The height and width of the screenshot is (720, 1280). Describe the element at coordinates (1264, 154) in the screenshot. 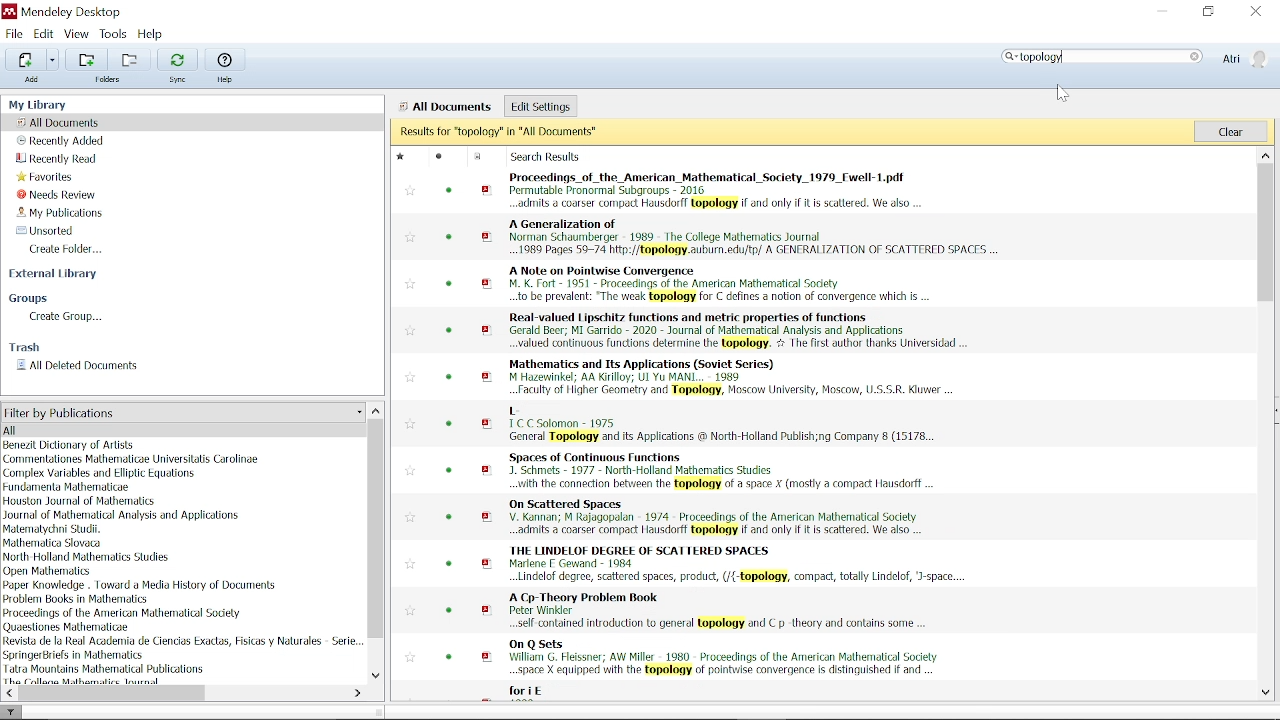

I see `Move up` at that location.